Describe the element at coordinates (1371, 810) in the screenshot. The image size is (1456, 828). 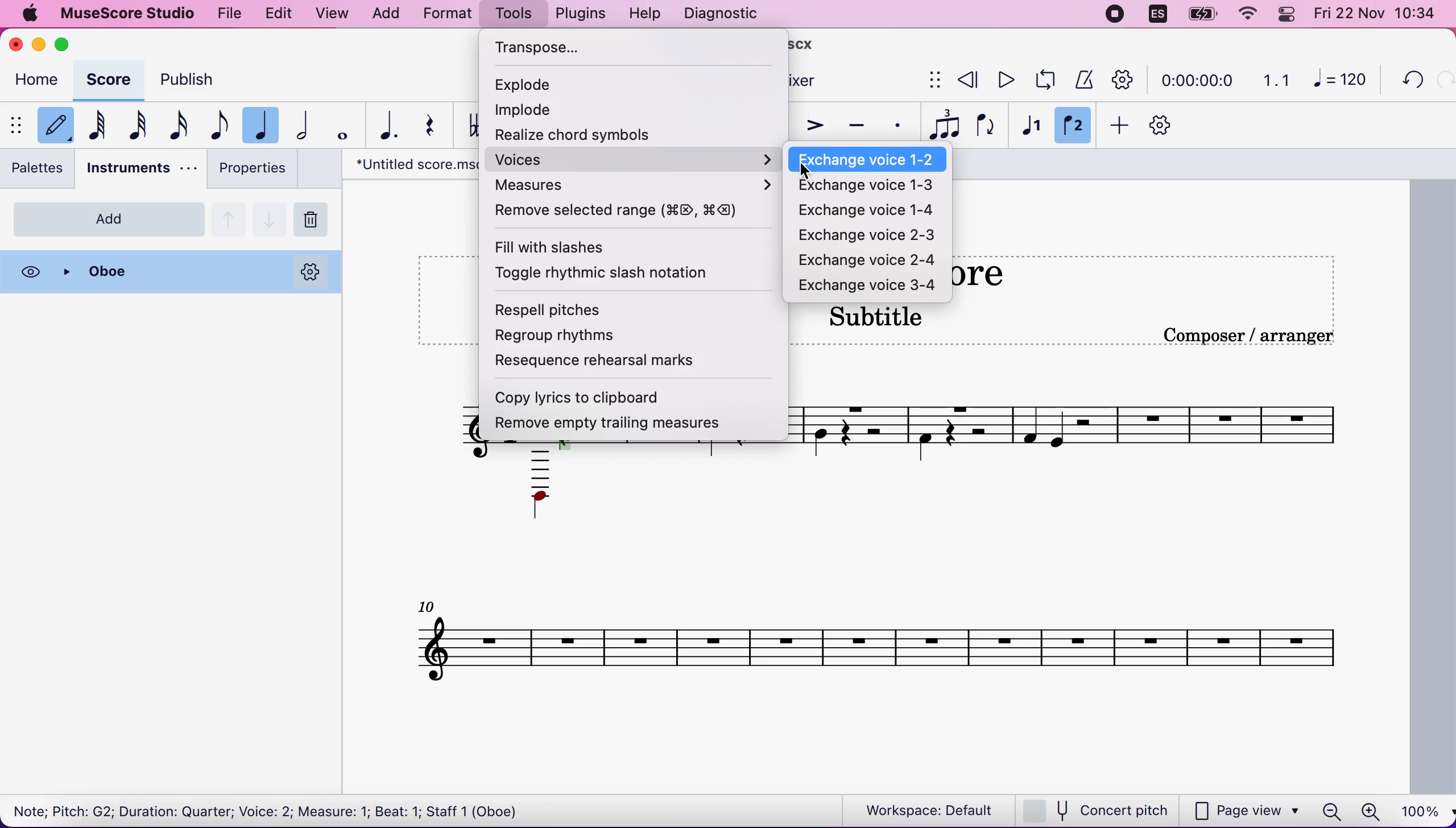
I see `zoom in` at that location.